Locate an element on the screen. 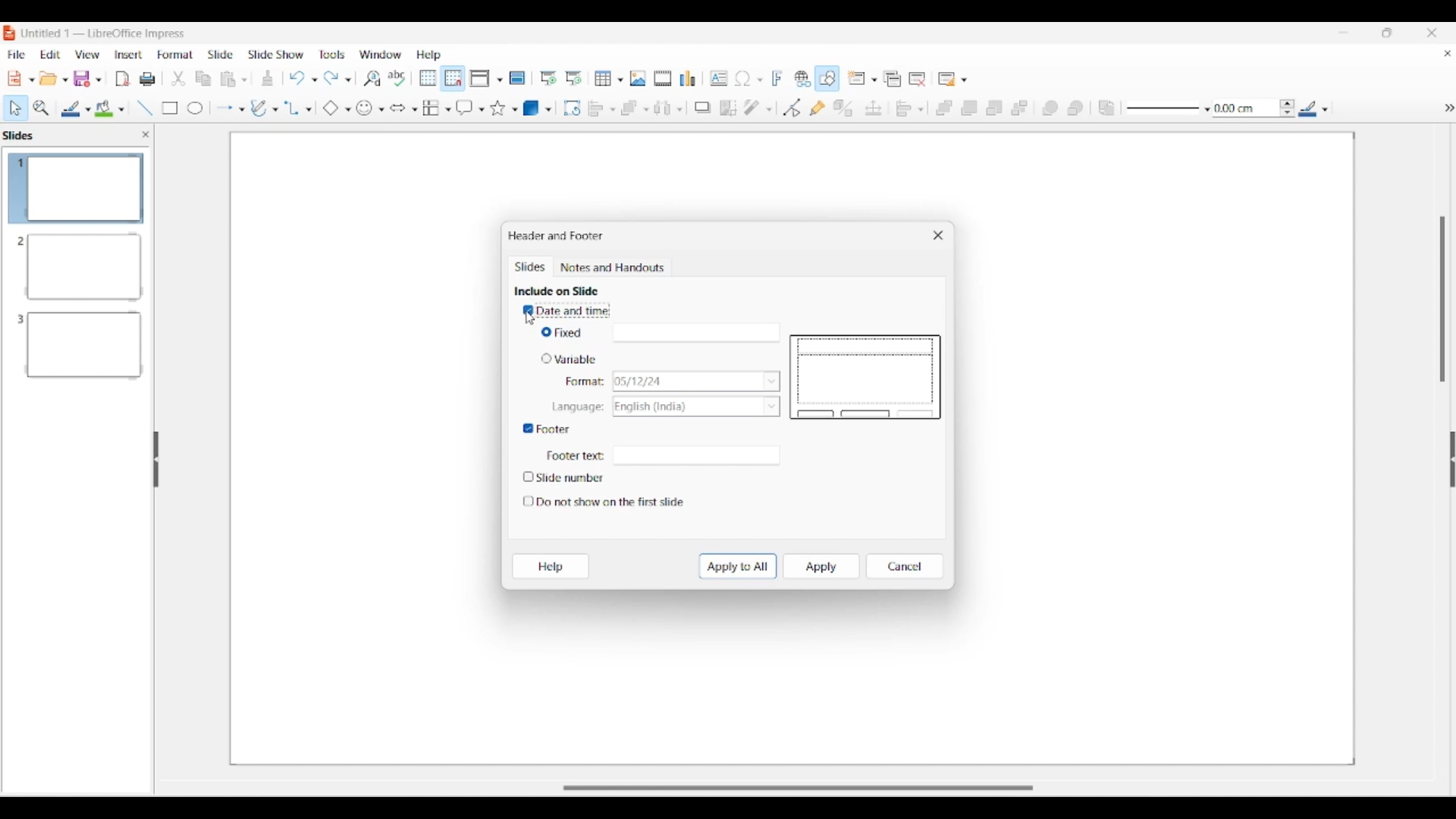 The width and height of the screenshot is (1456, 819). Position and size is located at coordinates (874, 108).